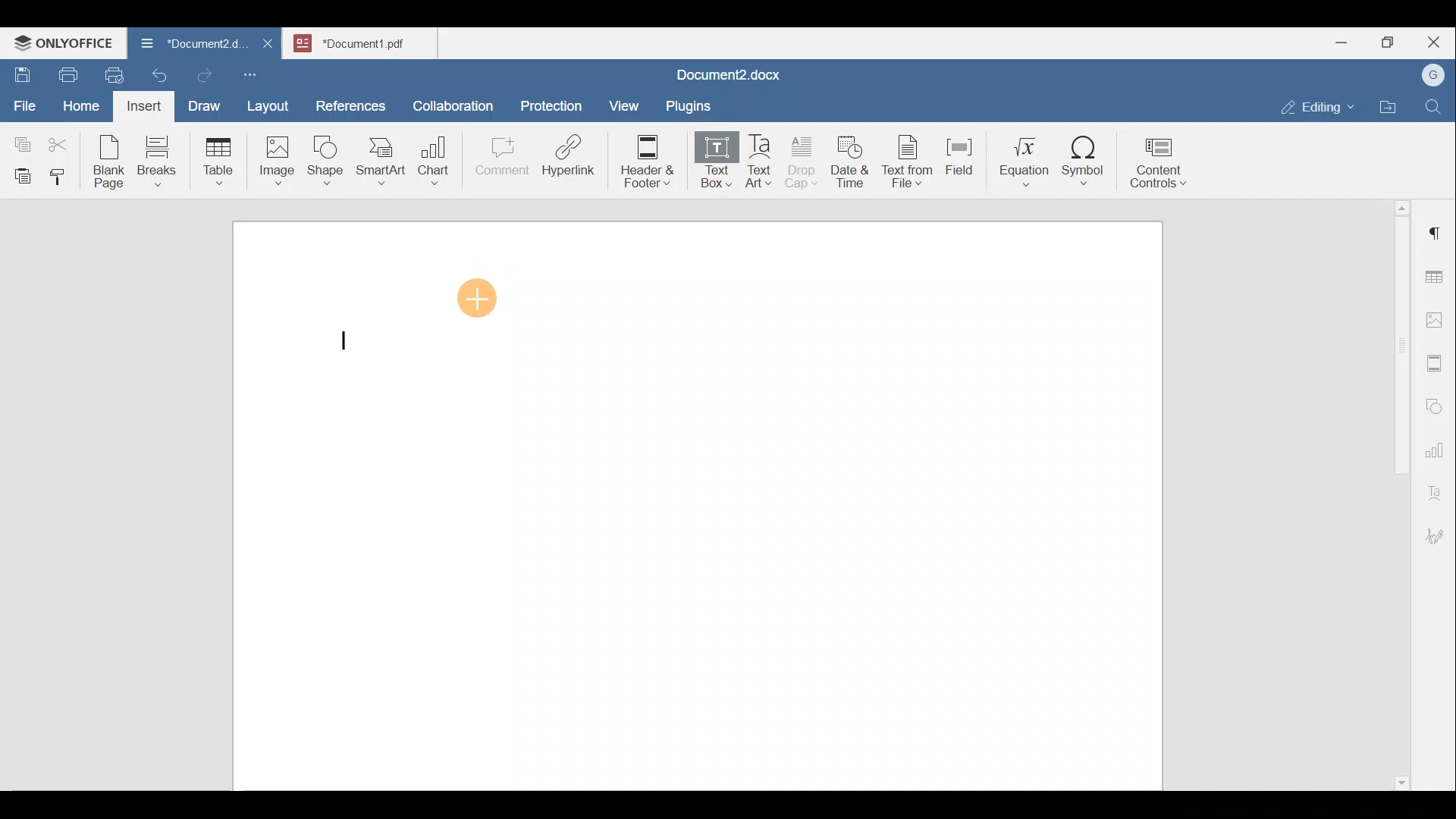 The image size is (1456, 819). I want to click on Close, so click(1436, 43).